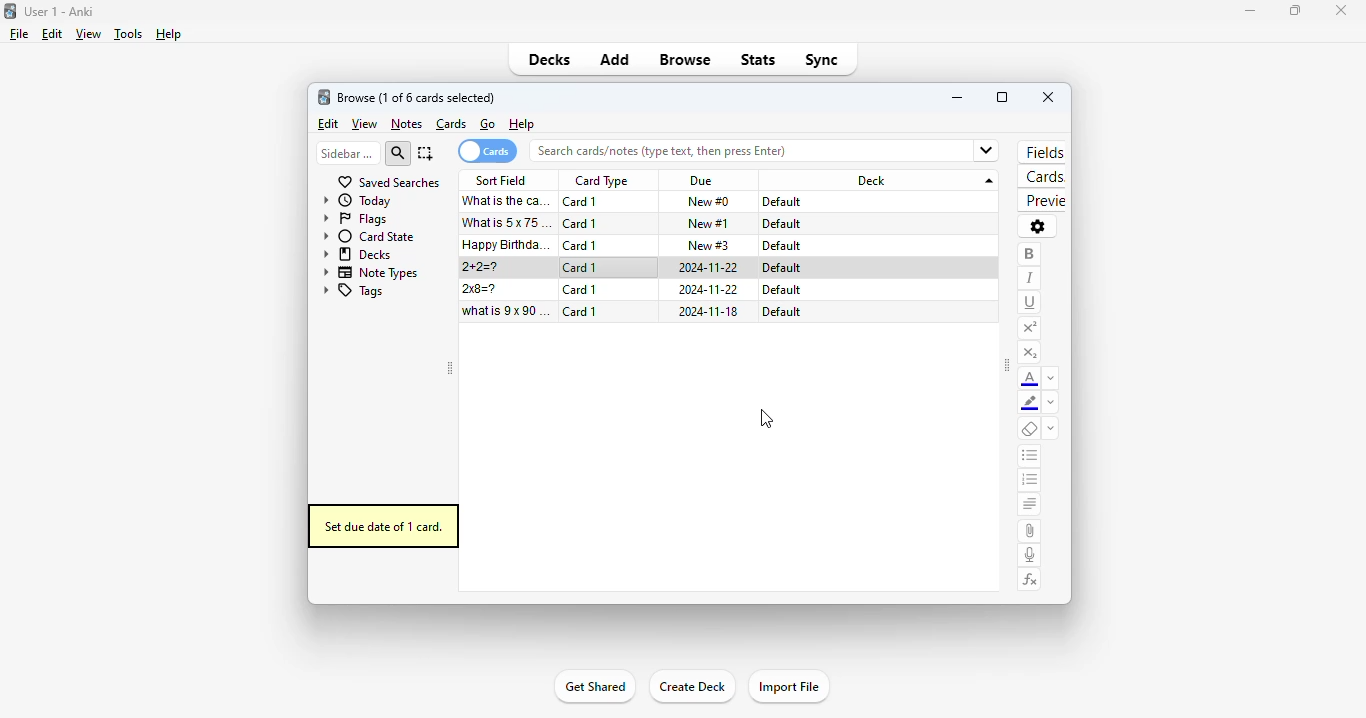 This screenshot has height=718, width=1366. What do you see at coordinates (507, 311) in the screenshot?
I see `what is 9x90=?` at bounding box center [507, 311].